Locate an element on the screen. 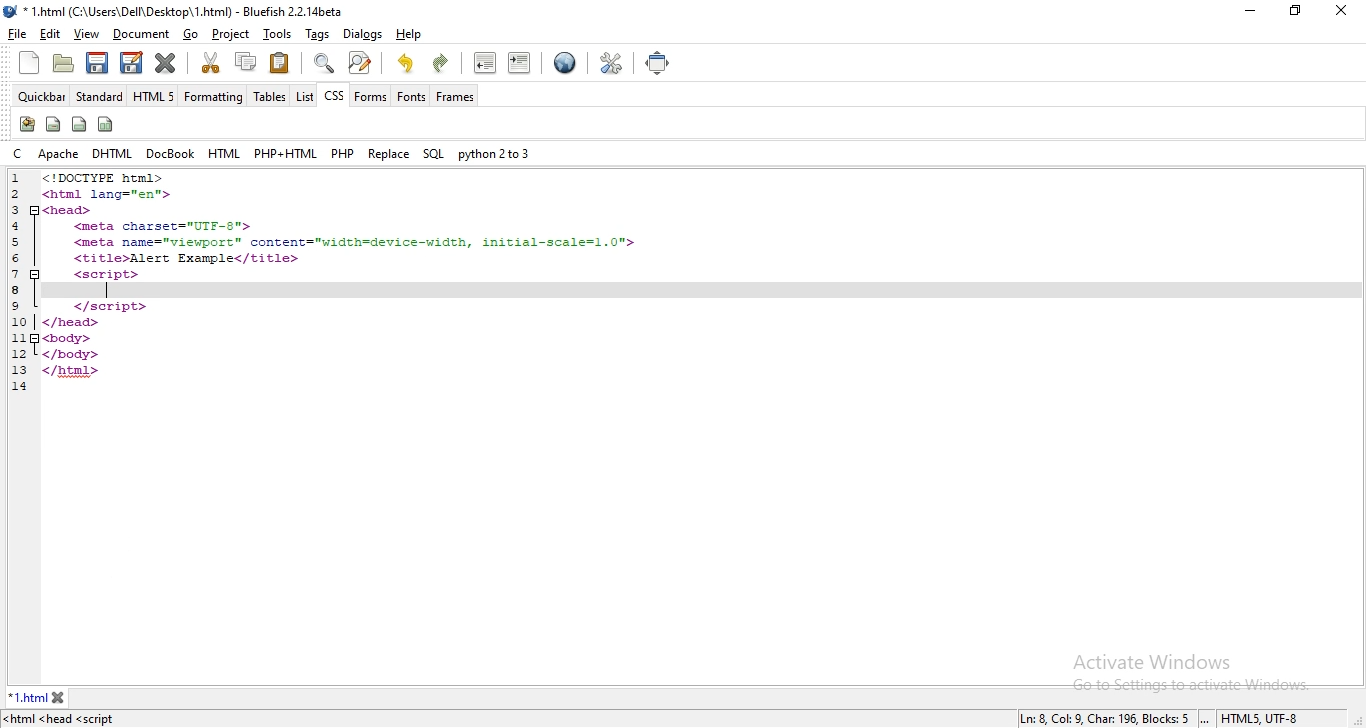 This screenshot has width=1366, height=728. tags is located at coordinates (318, 34).